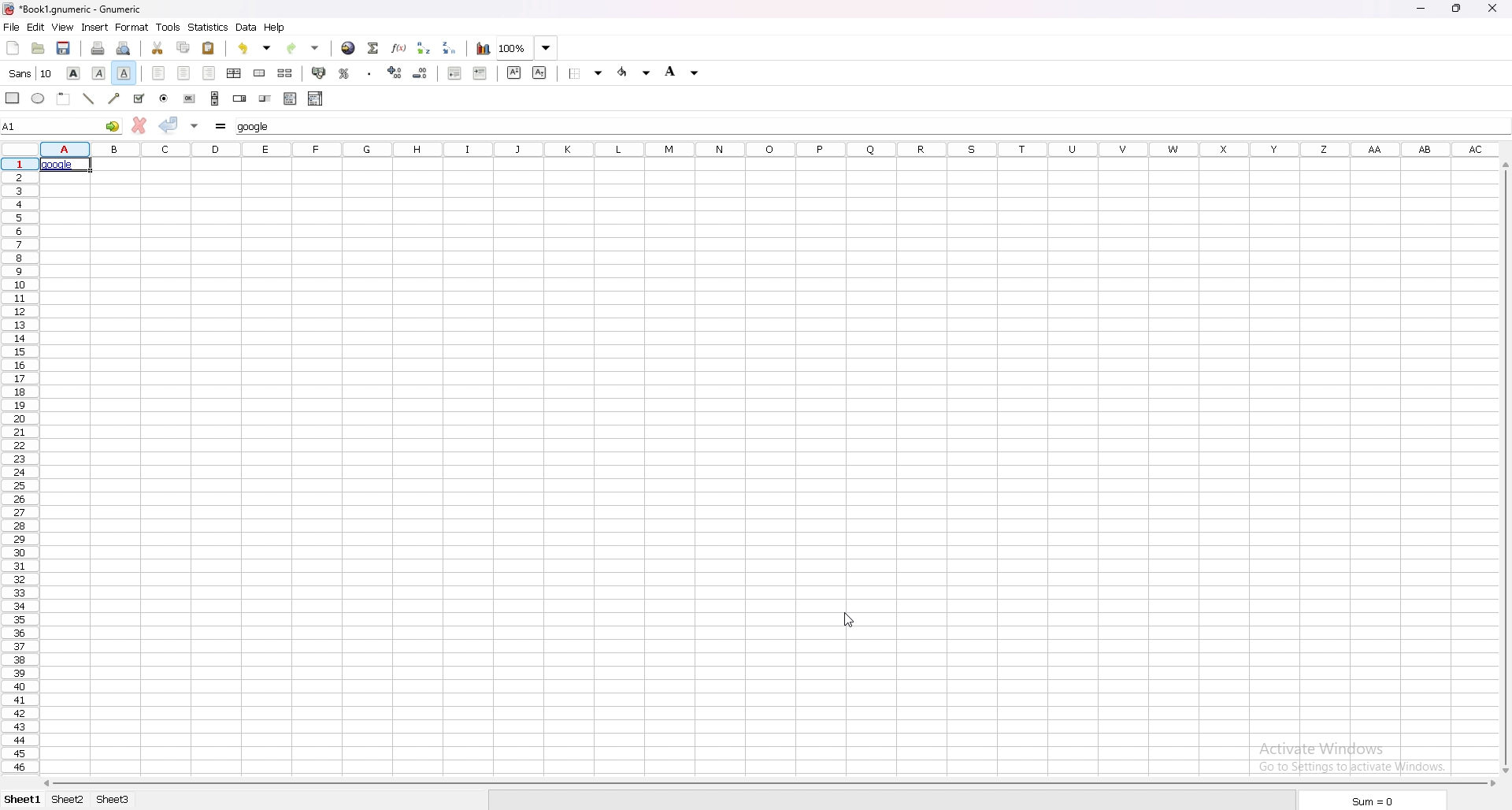 The width and height of the screenshot is (1512, 810). I want to click on button, so click(191, 98).